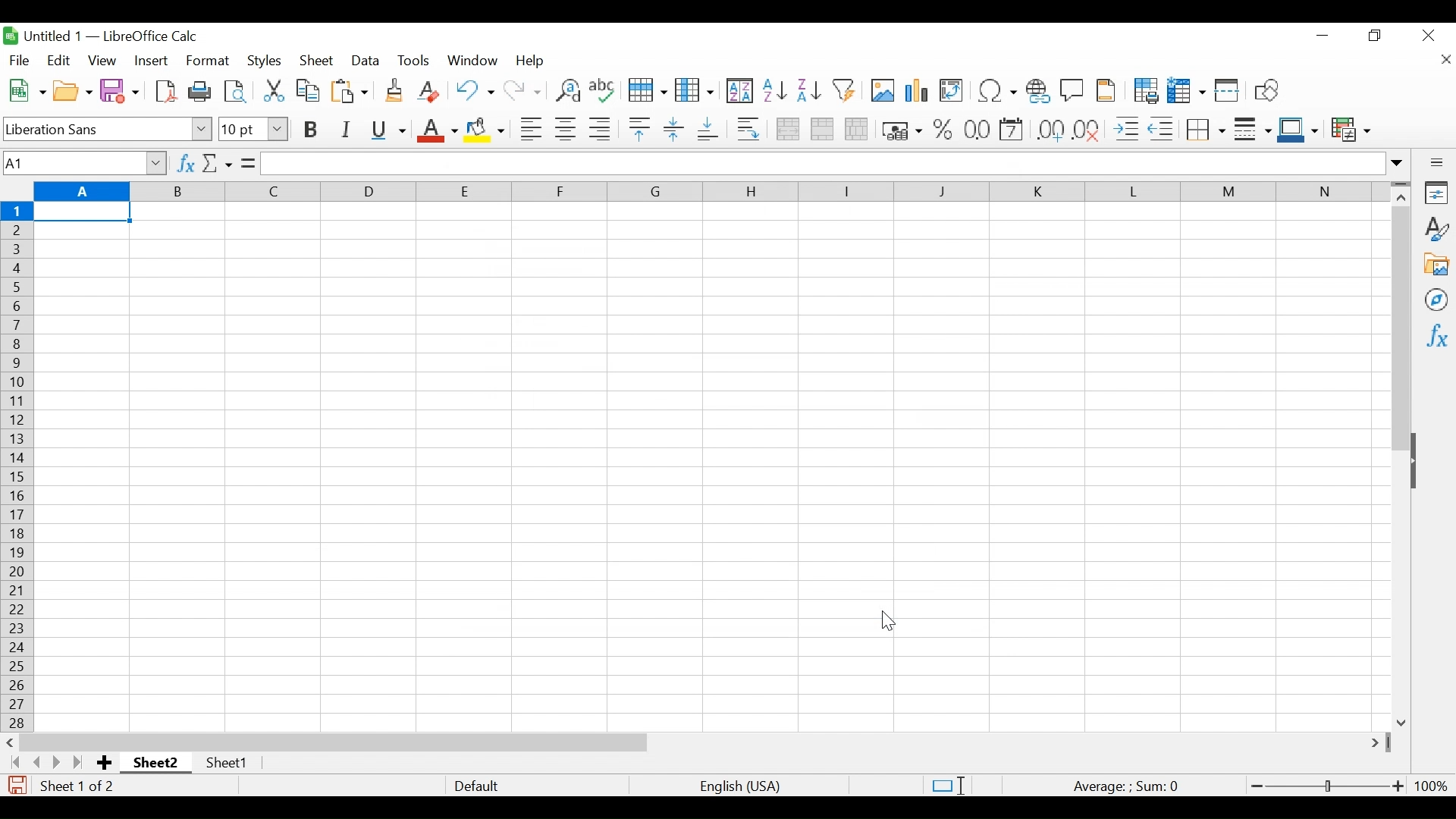  I want to click on Gallery, so click(1436, 263).